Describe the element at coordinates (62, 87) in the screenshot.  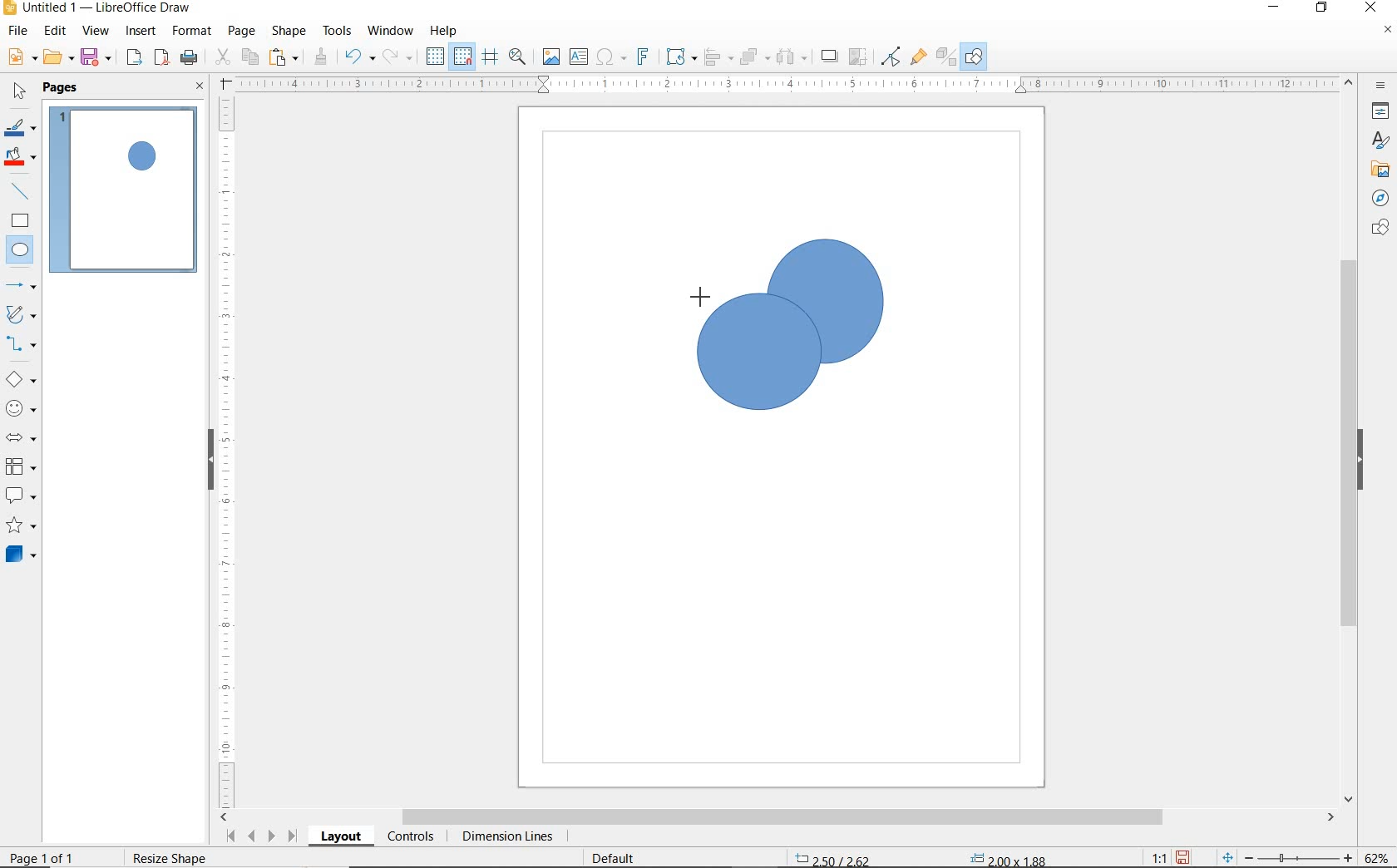
I see `PAGES` at that location.